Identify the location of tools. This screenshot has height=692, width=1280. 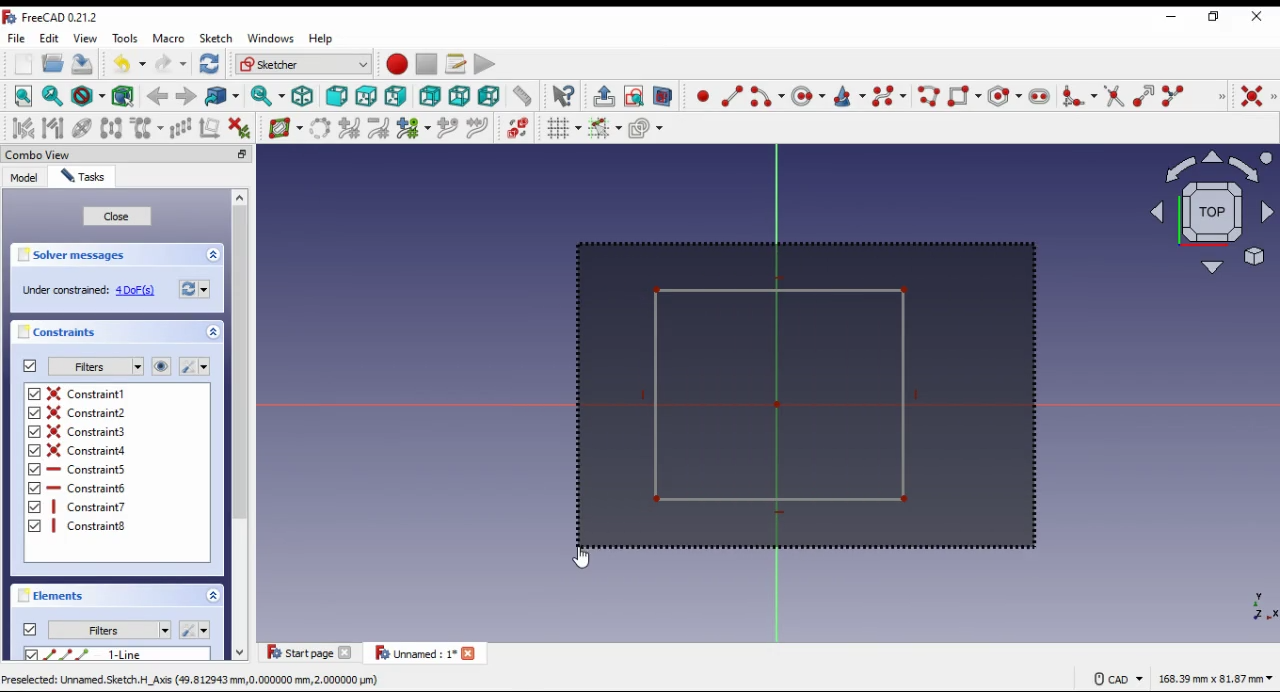
(125, 38).